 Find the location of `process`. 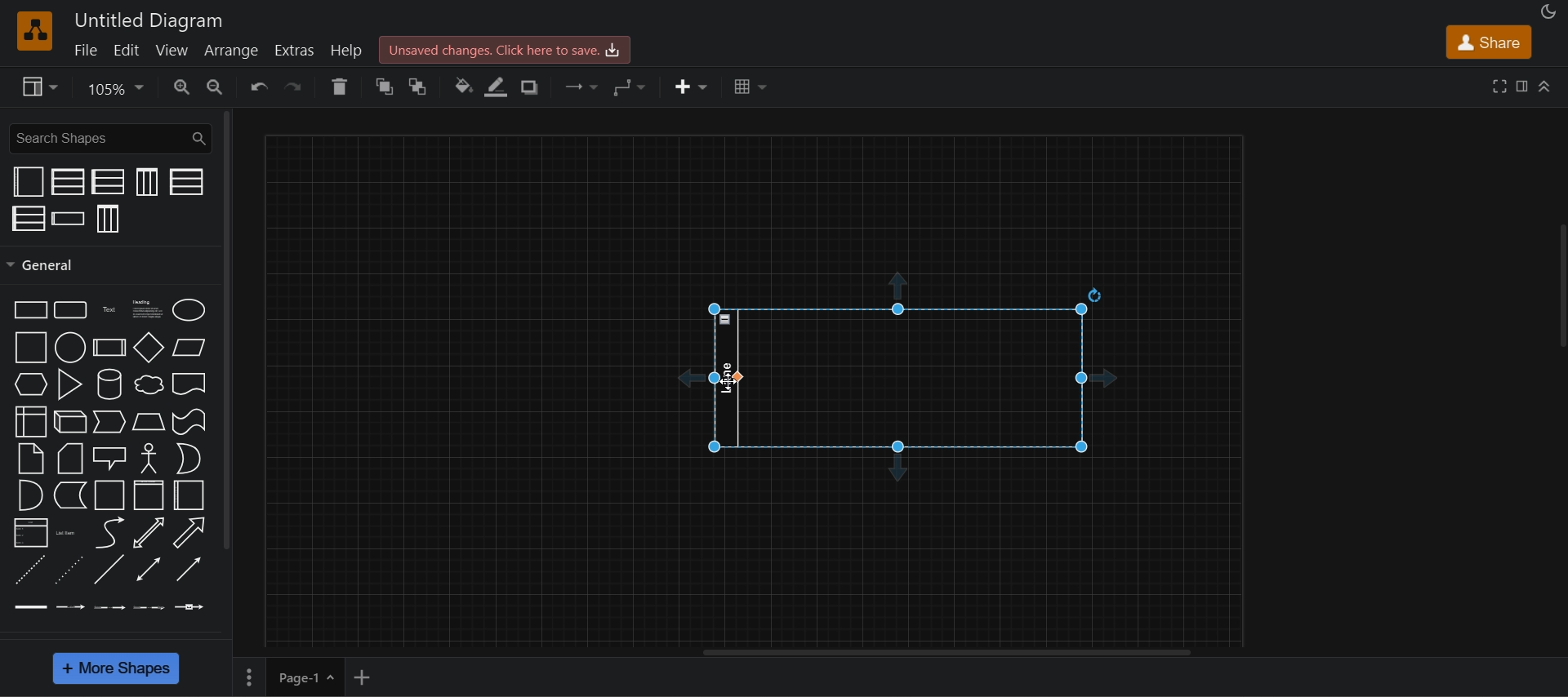

process is located at coordinates (109, 348).